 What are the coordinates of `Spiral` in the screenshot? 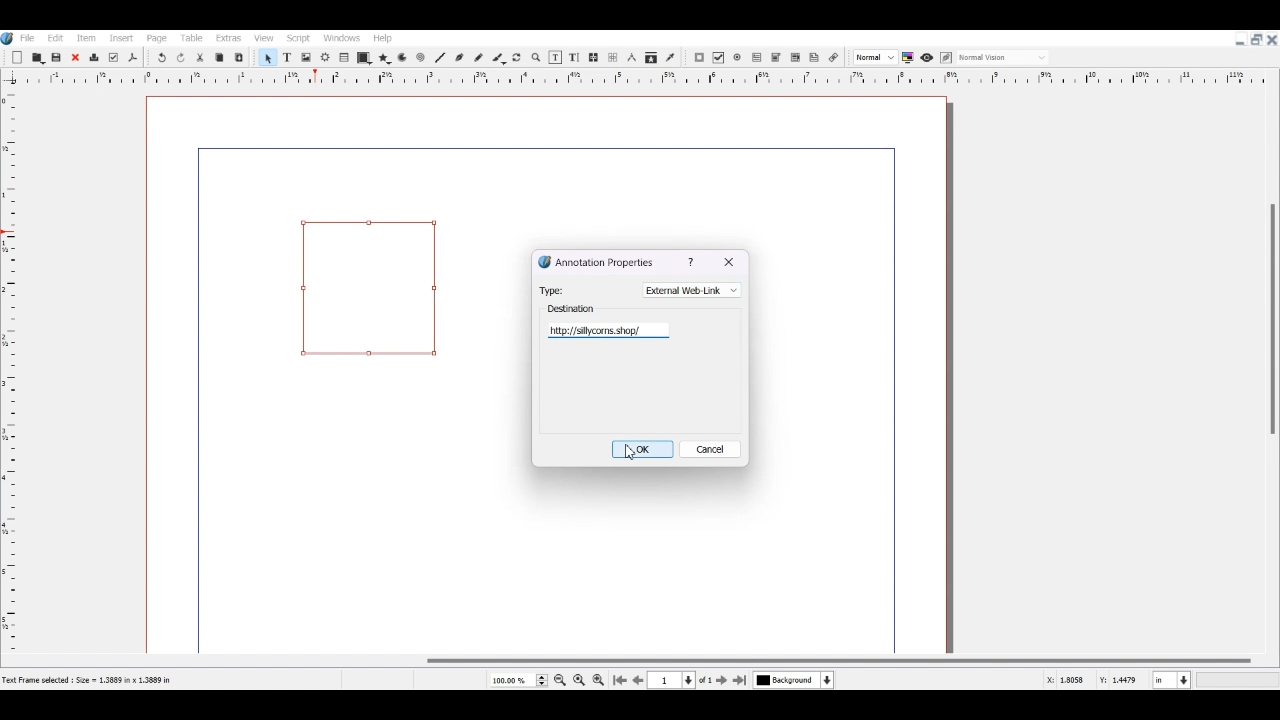 It's located at (420, 58).